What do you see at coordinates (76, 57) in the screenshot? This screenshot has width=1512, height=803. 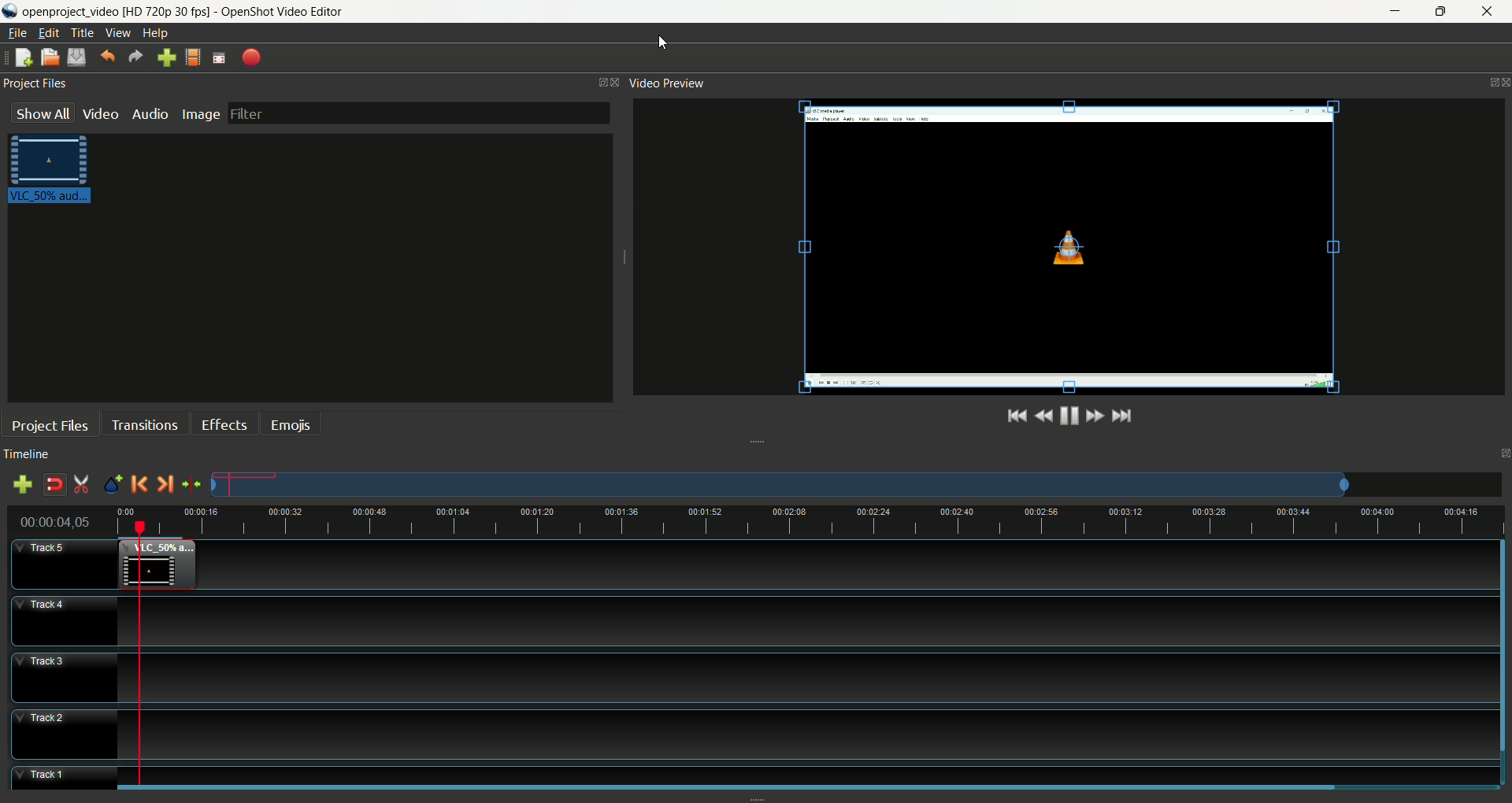 I see `save project` at bounding box center [76, 57].